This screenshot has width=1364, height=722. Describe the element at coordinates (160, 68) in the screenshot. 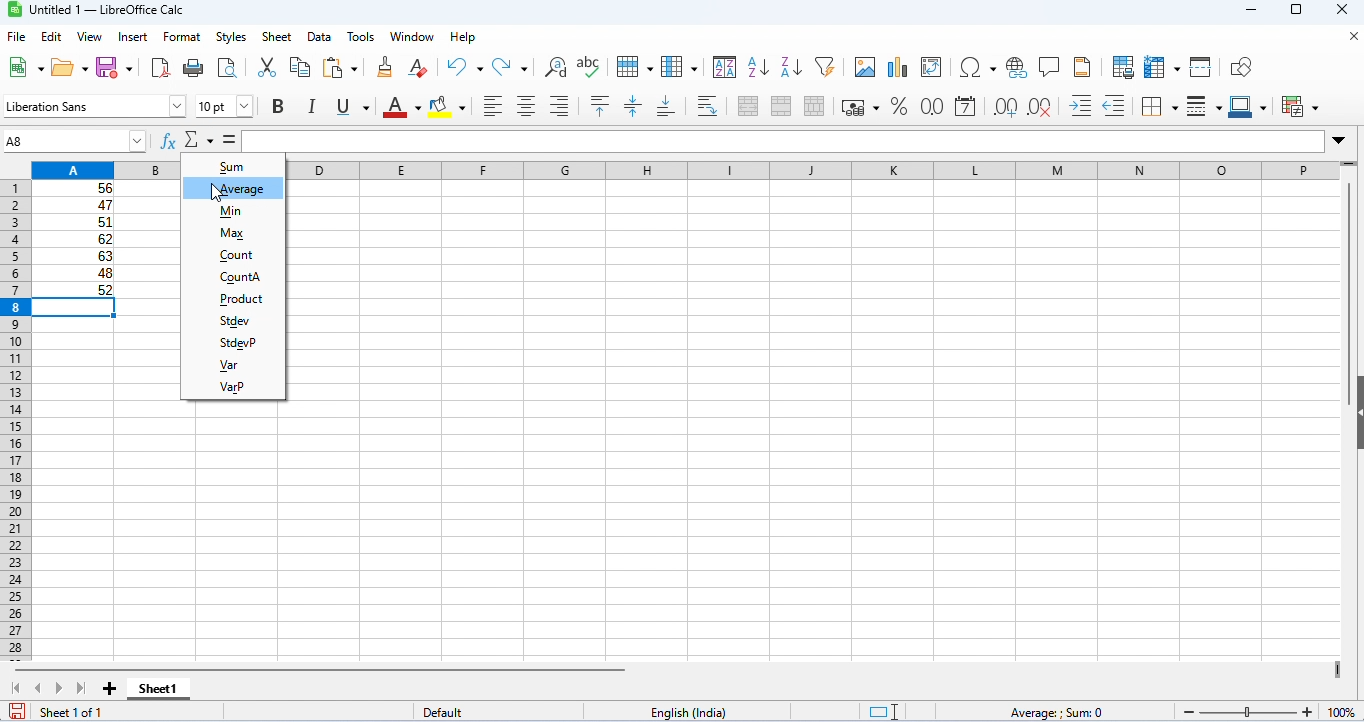

I see `export as pdf` at that location.